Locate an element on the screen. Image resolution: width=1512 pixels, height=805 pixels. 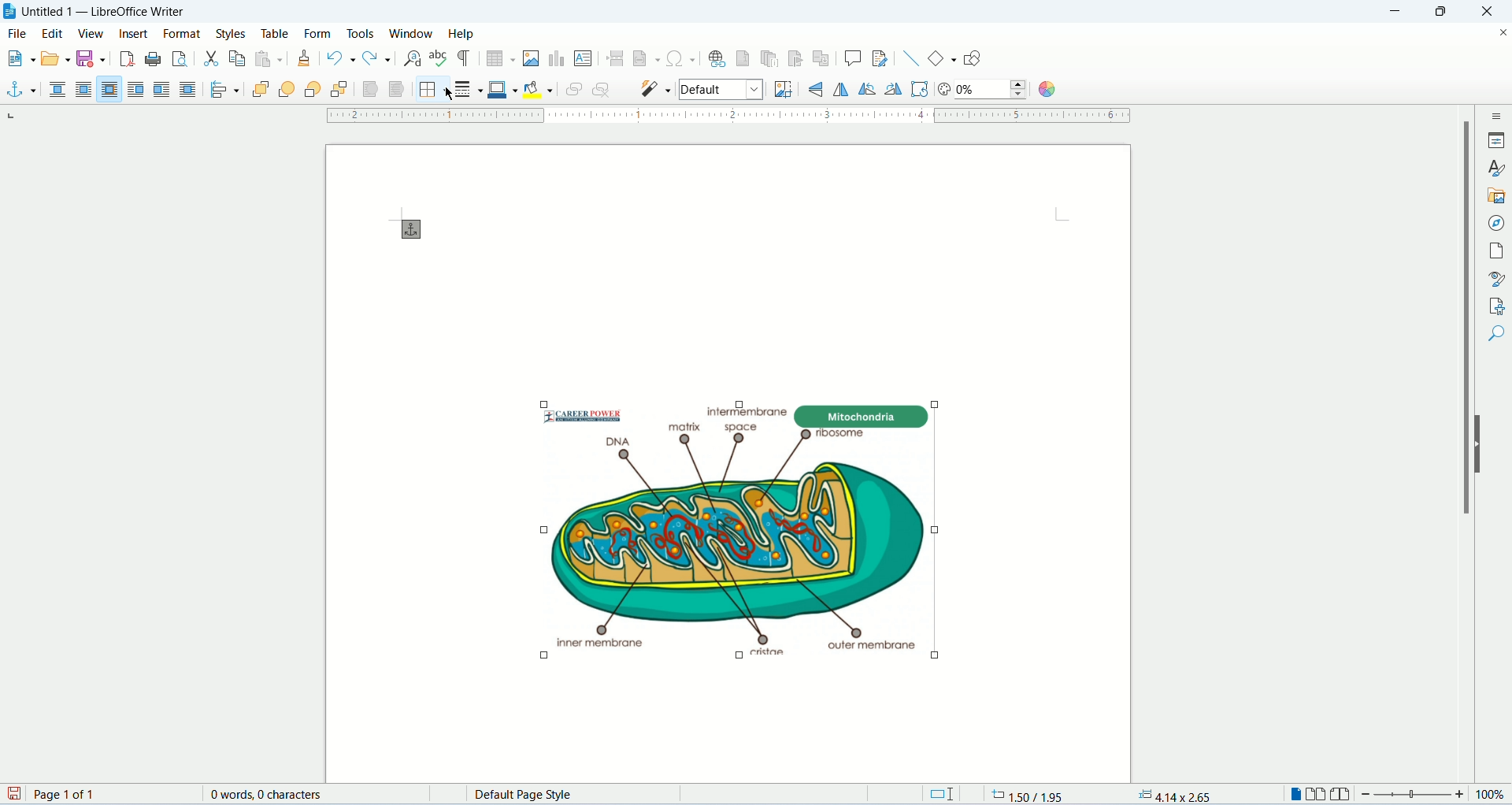
styles is located at coordinates (234, 33).